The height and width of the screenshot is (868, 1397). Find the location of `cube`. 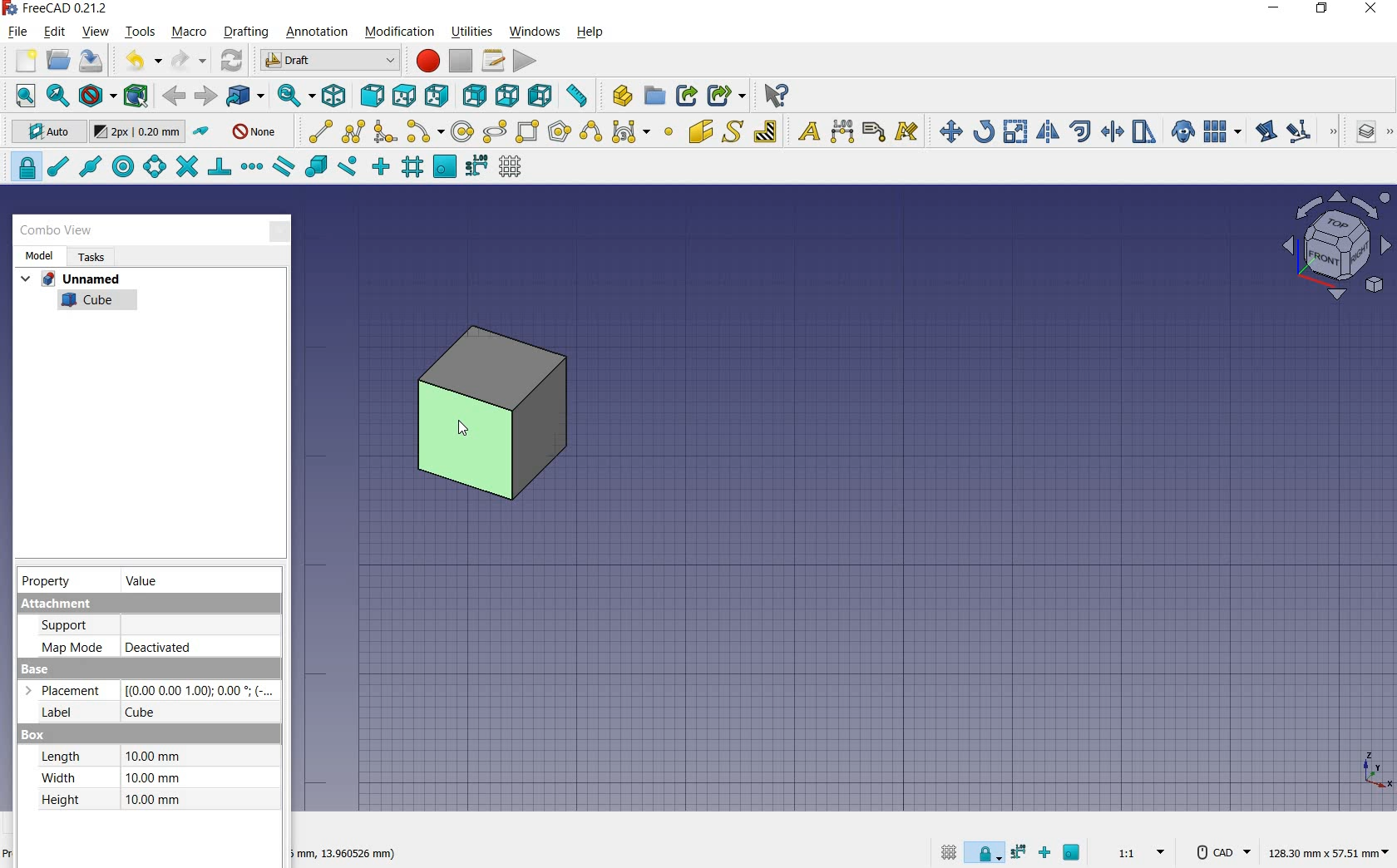

cube is located at coordinates (96, 303).